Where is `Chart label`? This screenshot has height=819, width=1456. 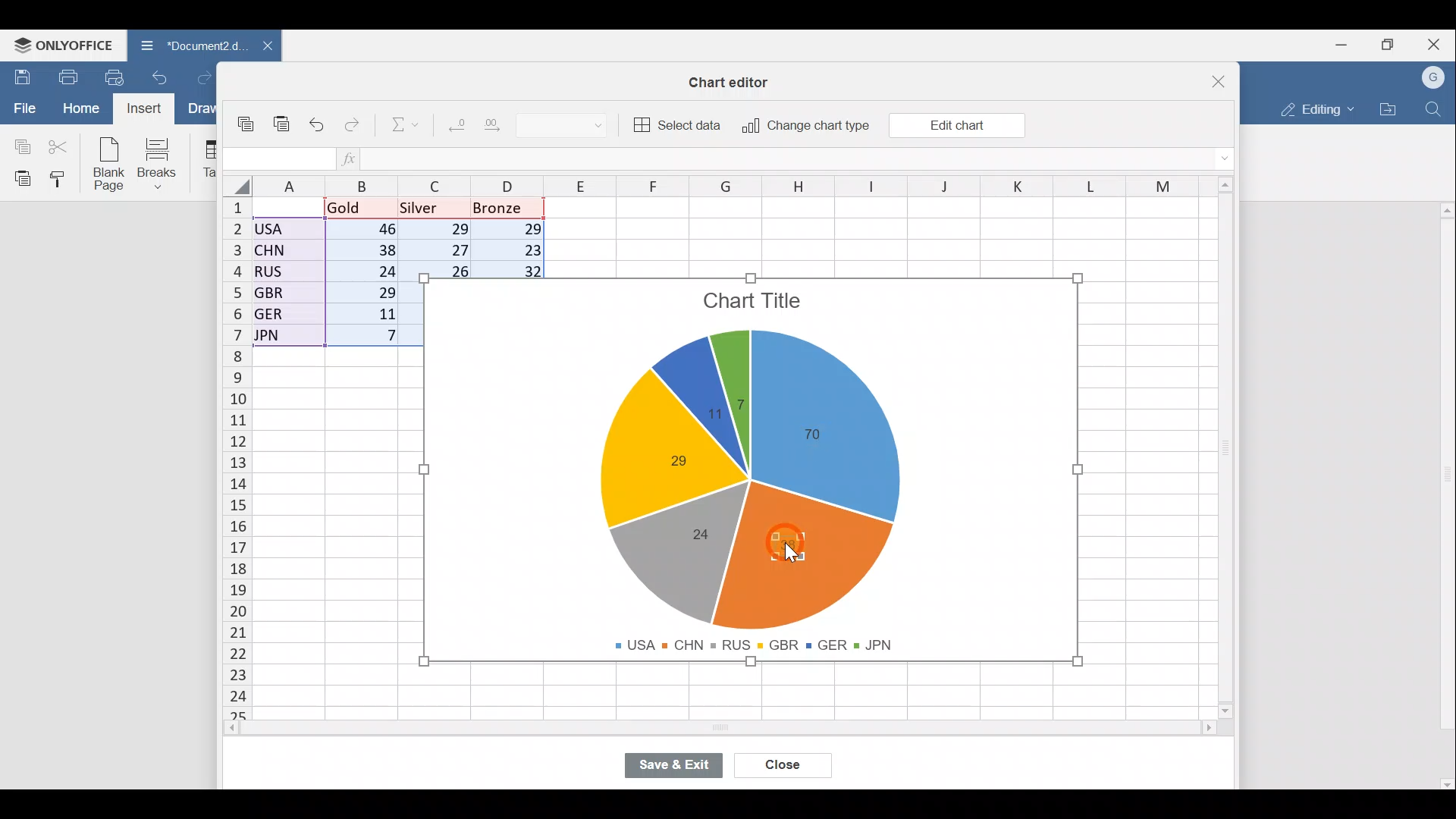 Chart label is located at coordinates (708, 419).